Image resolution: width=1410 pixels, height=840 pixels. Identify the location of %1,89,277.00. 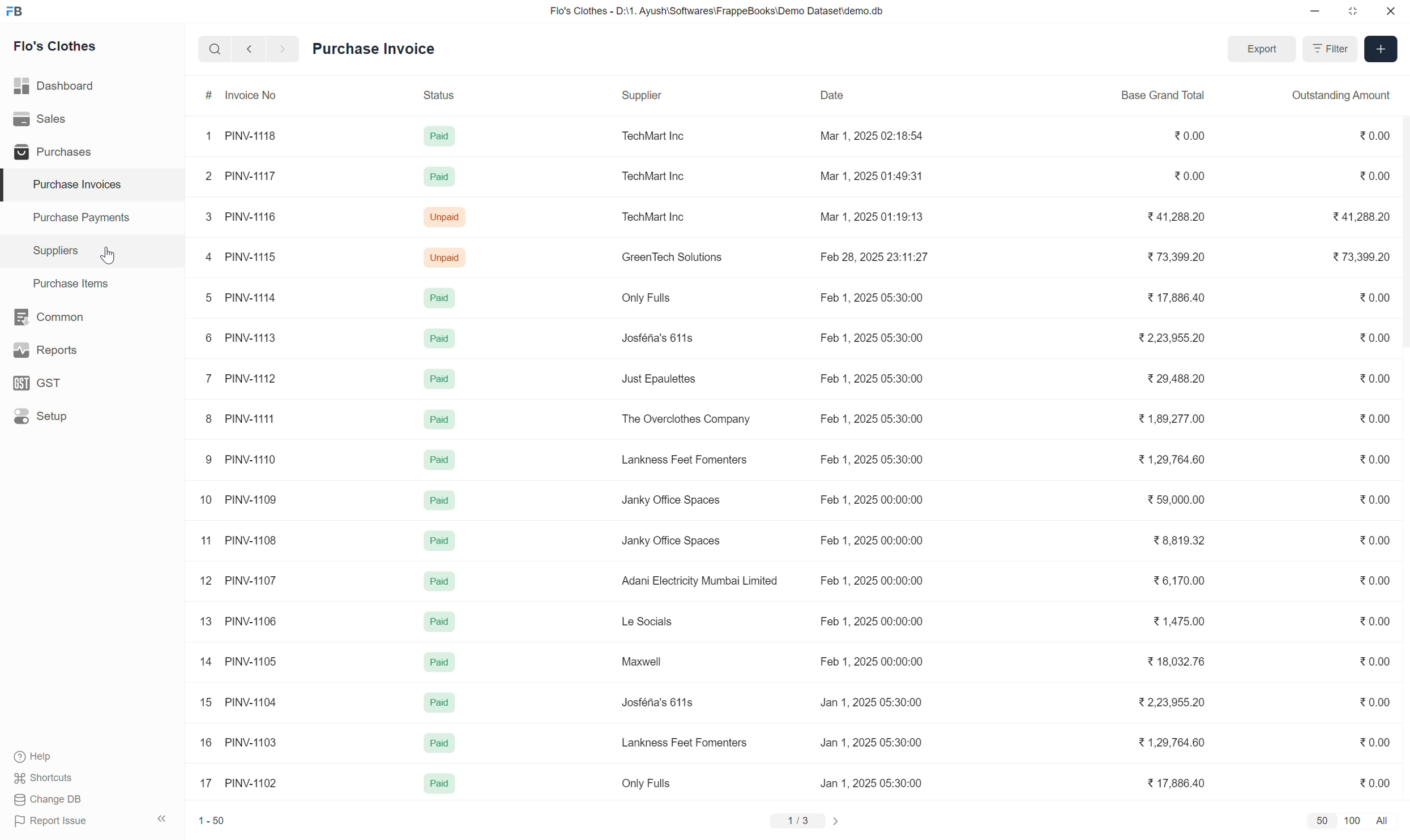
(1165, 419).